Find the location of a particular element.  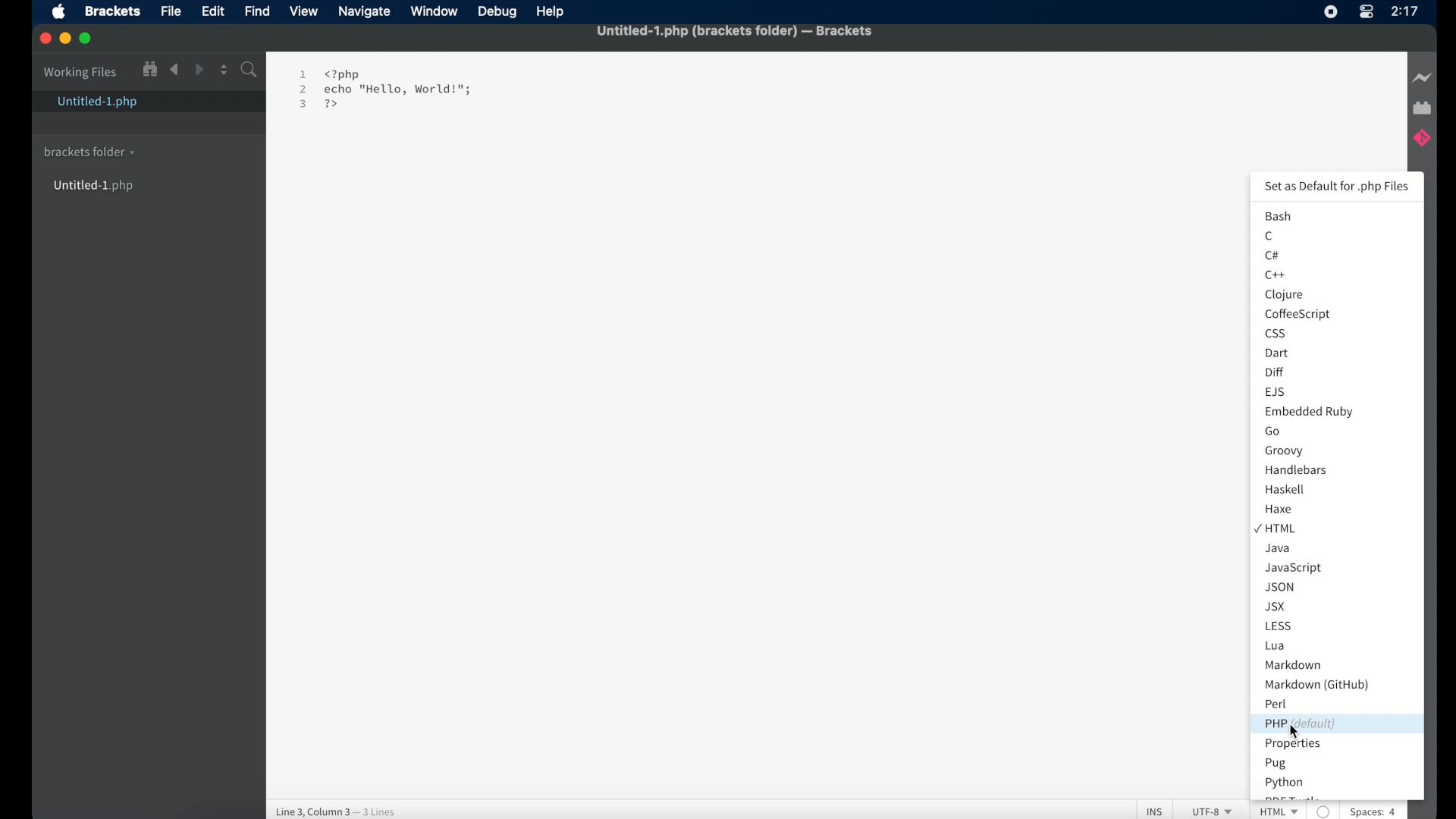

c# is located at coordinates (1273, 256).